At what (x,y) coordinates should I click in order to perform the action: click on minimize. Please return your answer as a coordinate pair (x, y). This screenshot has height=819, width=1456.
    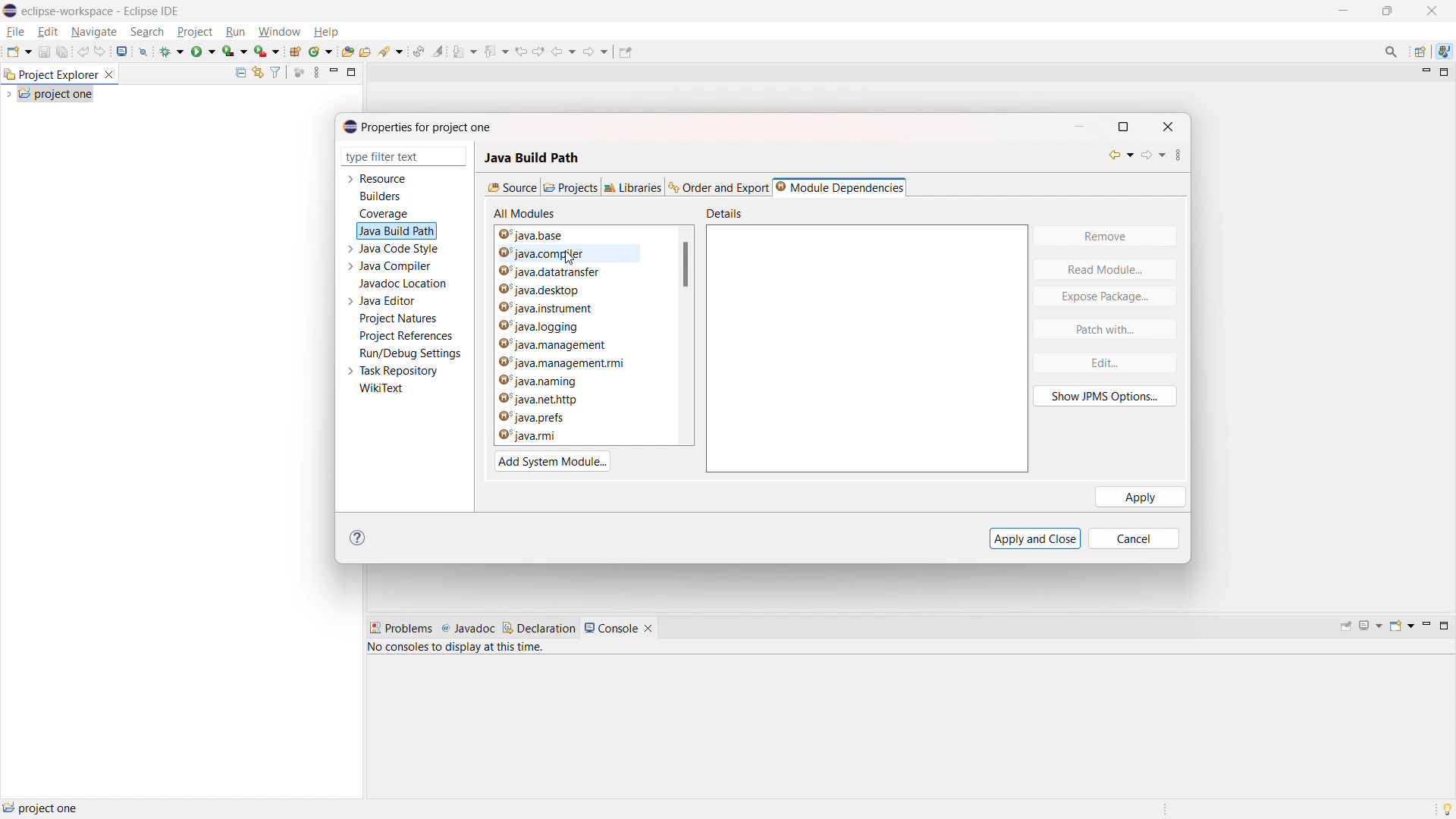
    Looking at the image, I should click on (1425, 626).